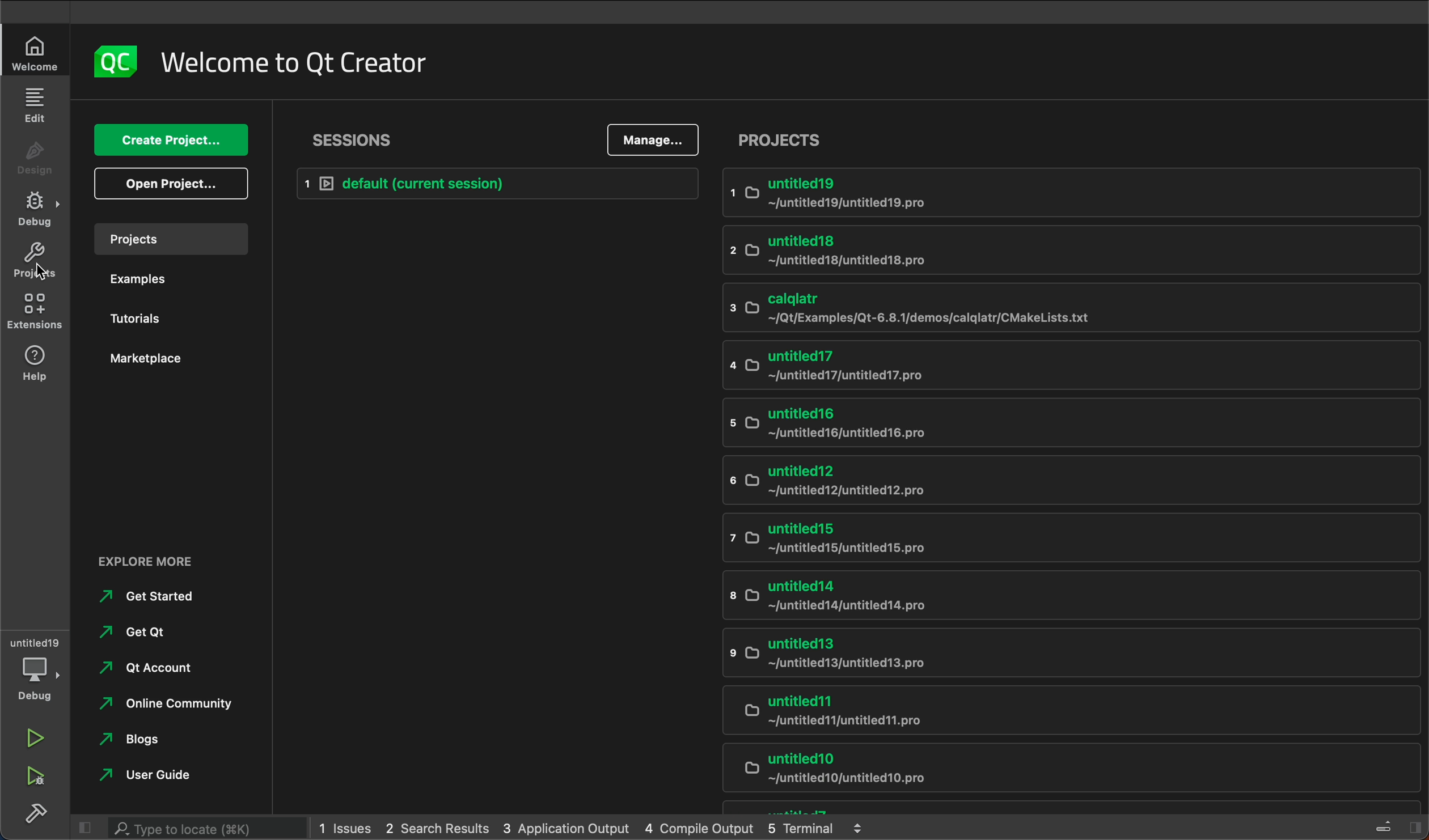  Describe the element at coordinates (39, 209) in the screenshot. I see `debug` at that location.